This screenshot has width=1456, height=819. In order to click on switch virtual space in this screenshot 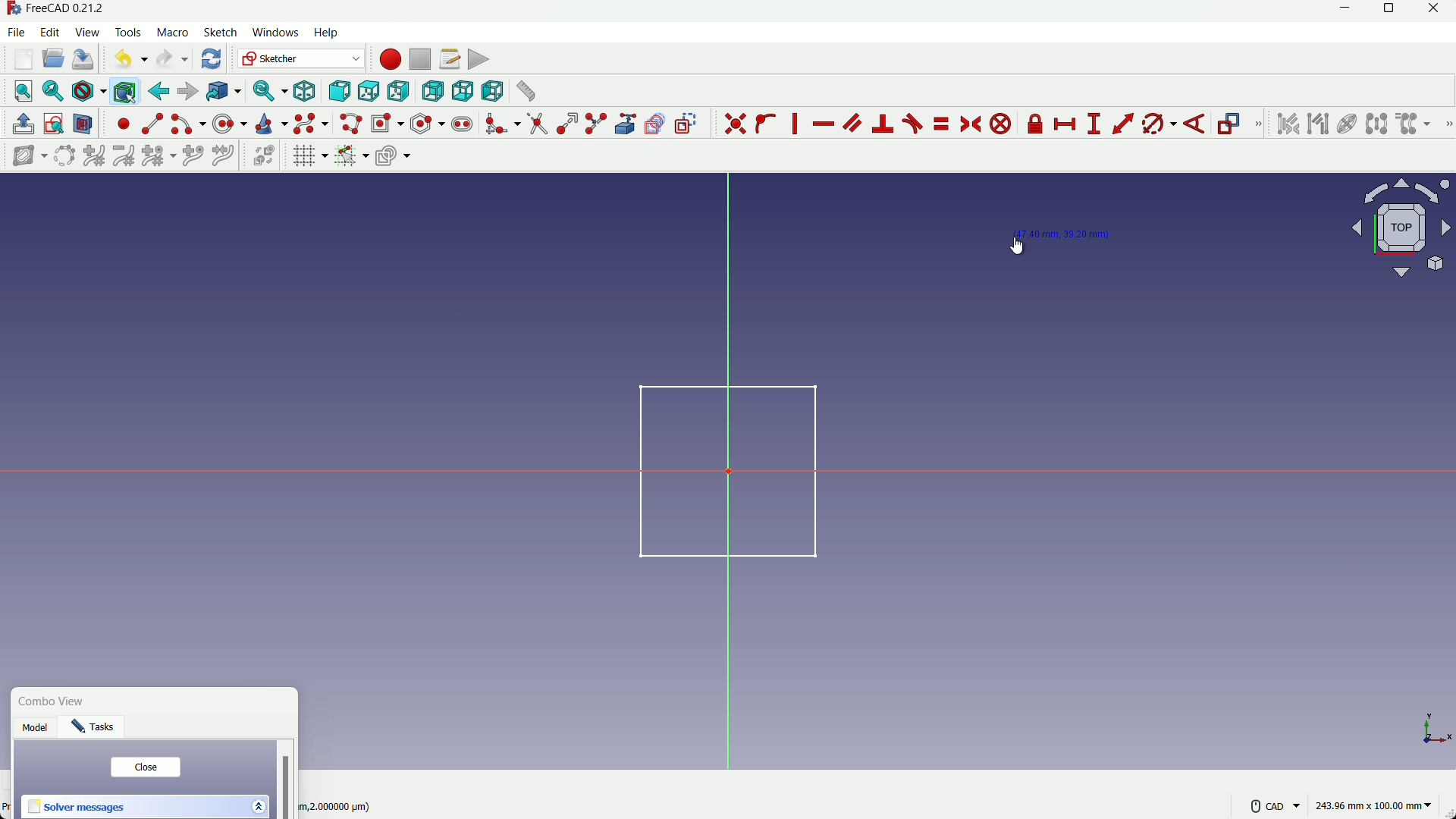, I will do `click(265, 156)`.